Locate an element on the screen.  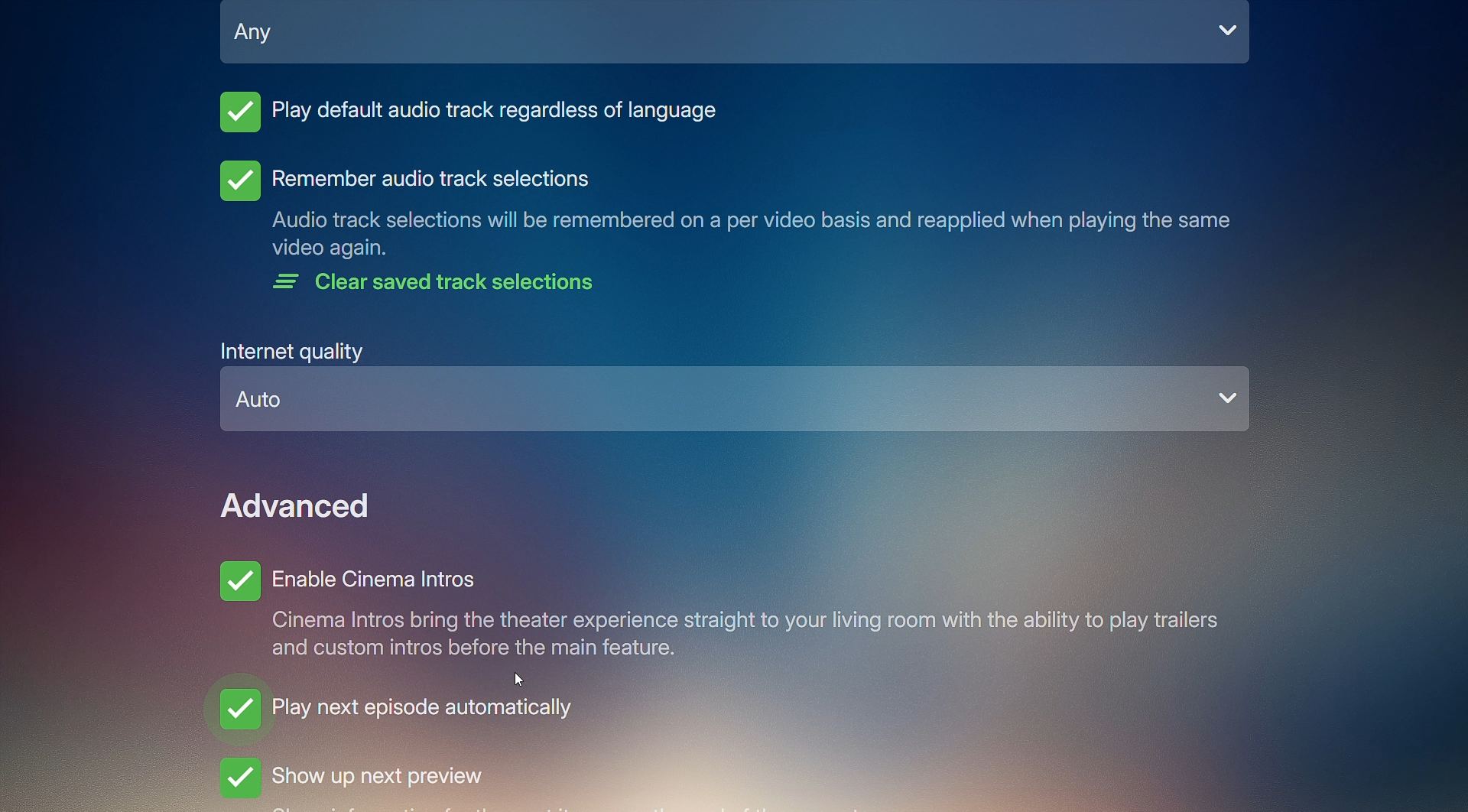
Caption is located at coordinates (749, 235).